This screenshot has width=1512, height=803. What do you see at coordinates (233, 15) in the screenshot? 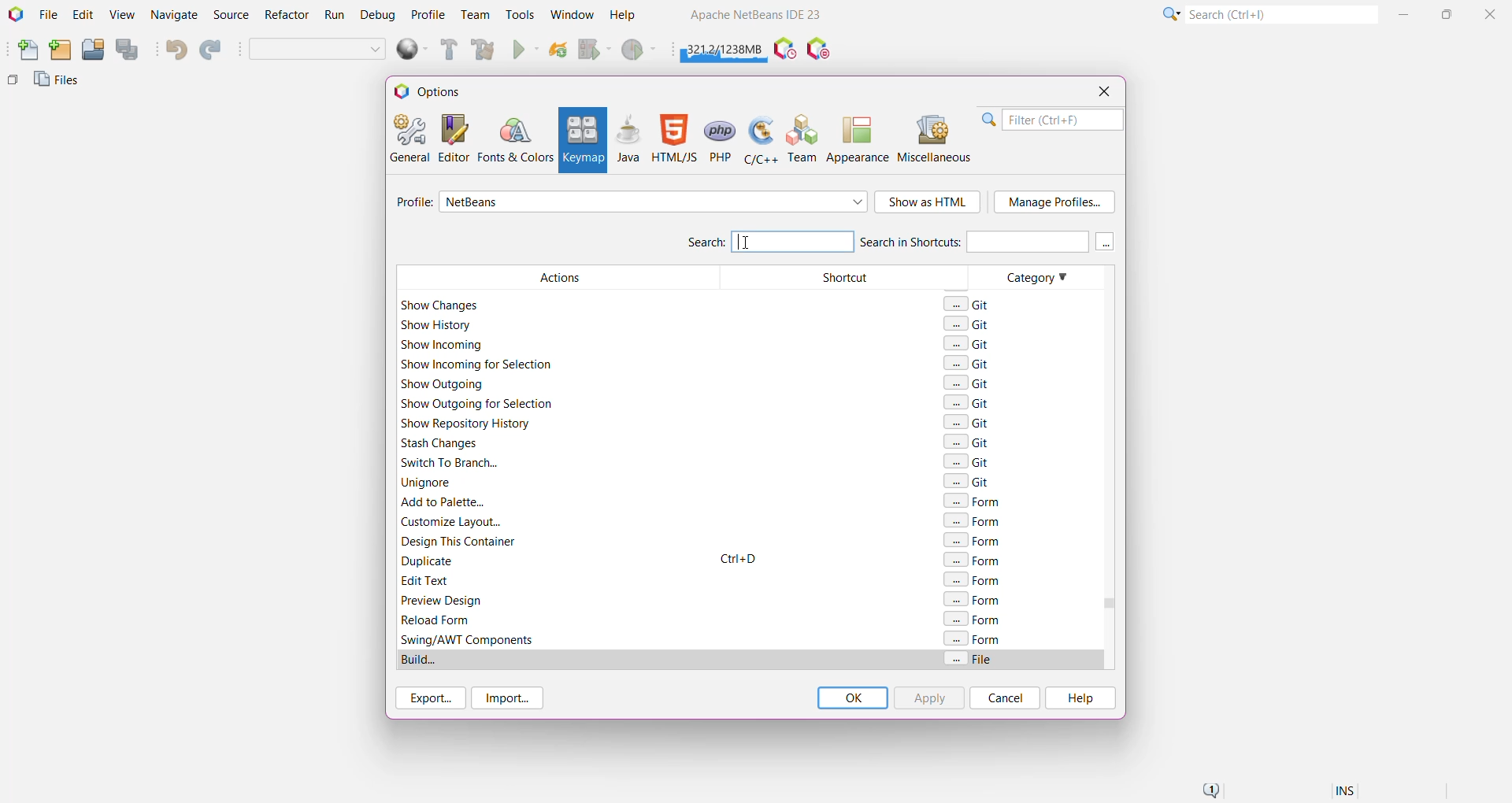
I see `Source` at bounding box center [233, 15].